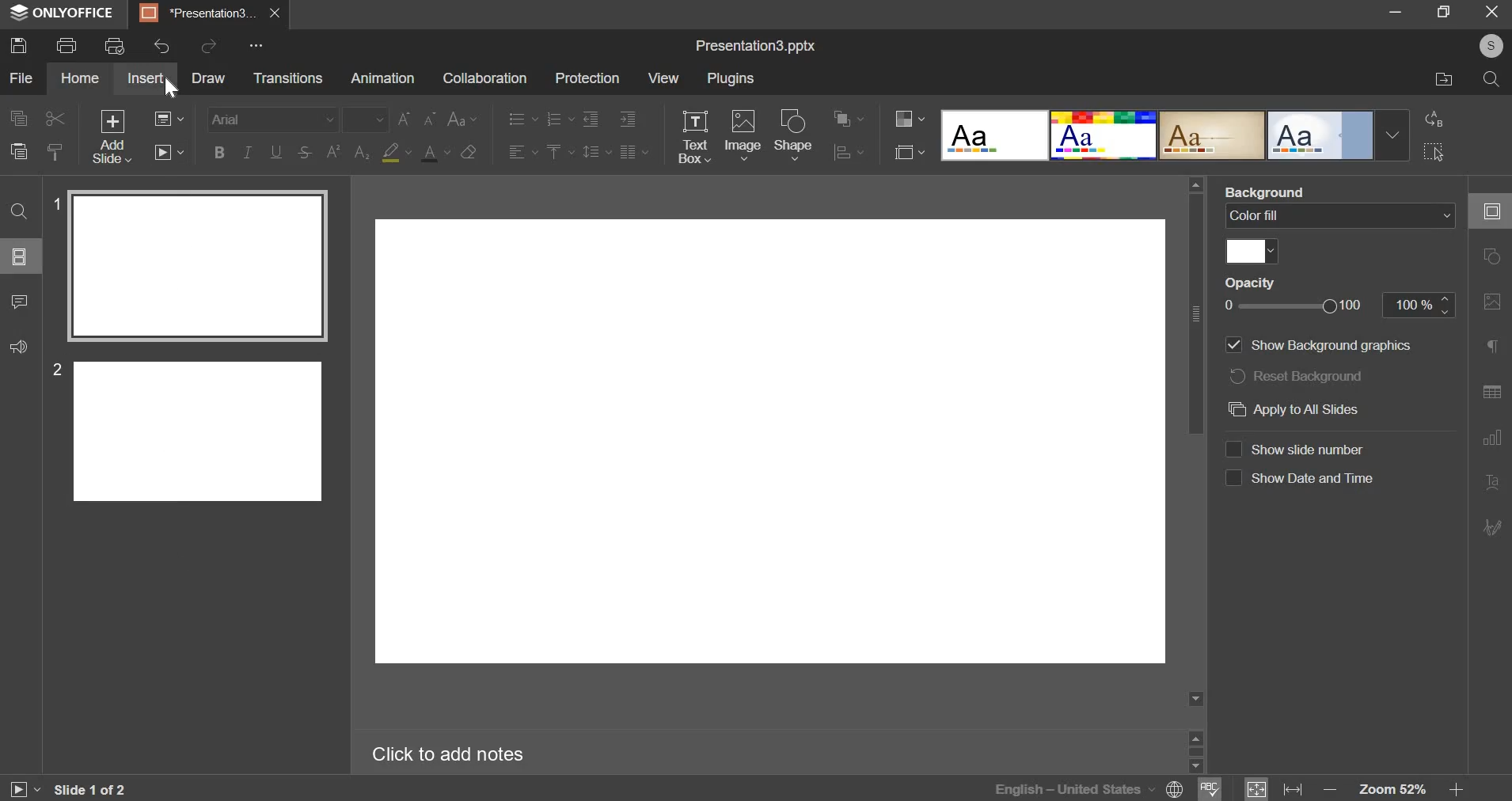 The height and width of the screenshot is (801, 1512). Describe the element at coordinates (522, 119) in the screenshot. I see `bullets` at that location.